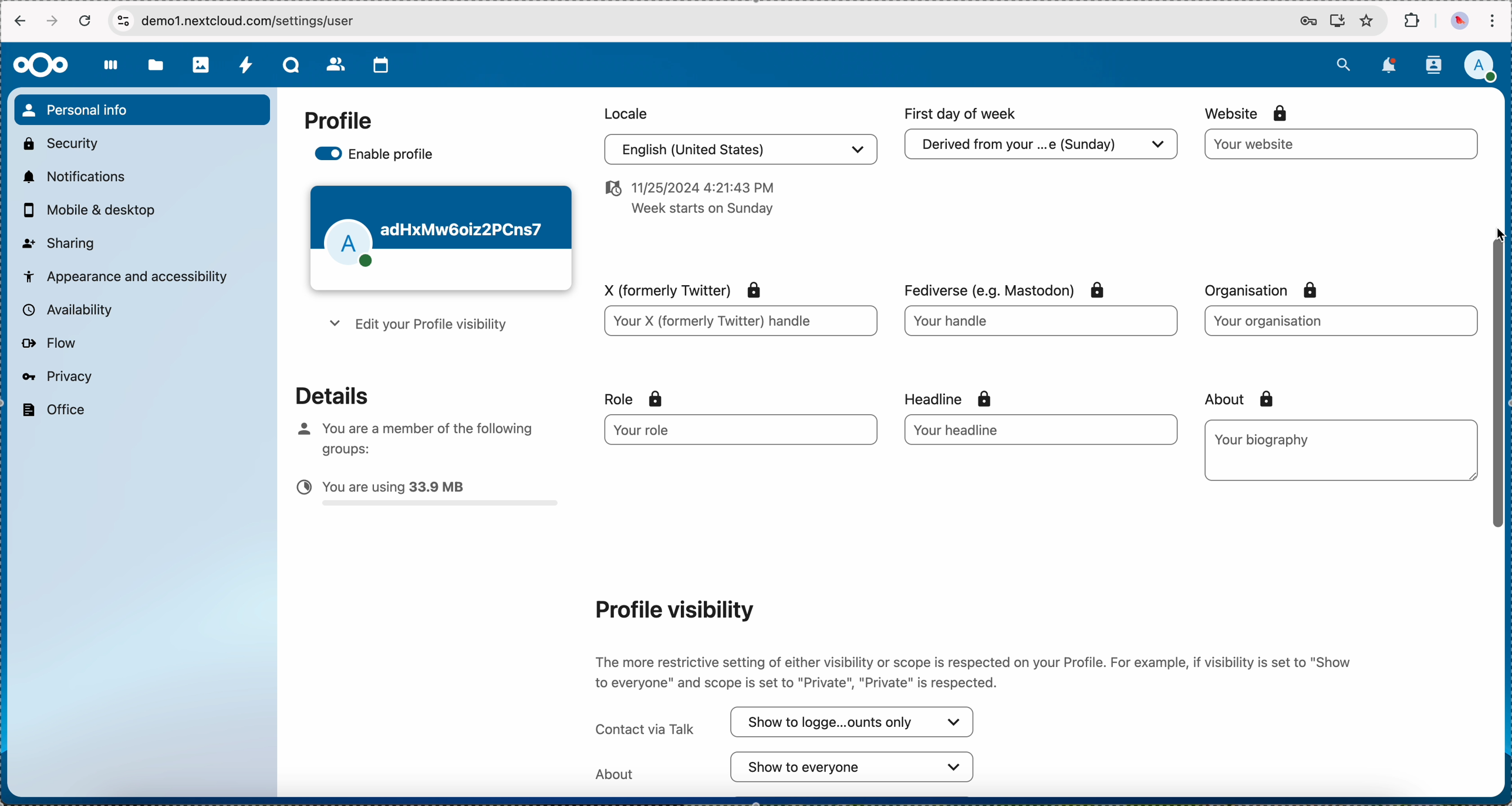  Describe the element at coordinates (1269, 290) in the screenshot. I see `organisation` at that location.